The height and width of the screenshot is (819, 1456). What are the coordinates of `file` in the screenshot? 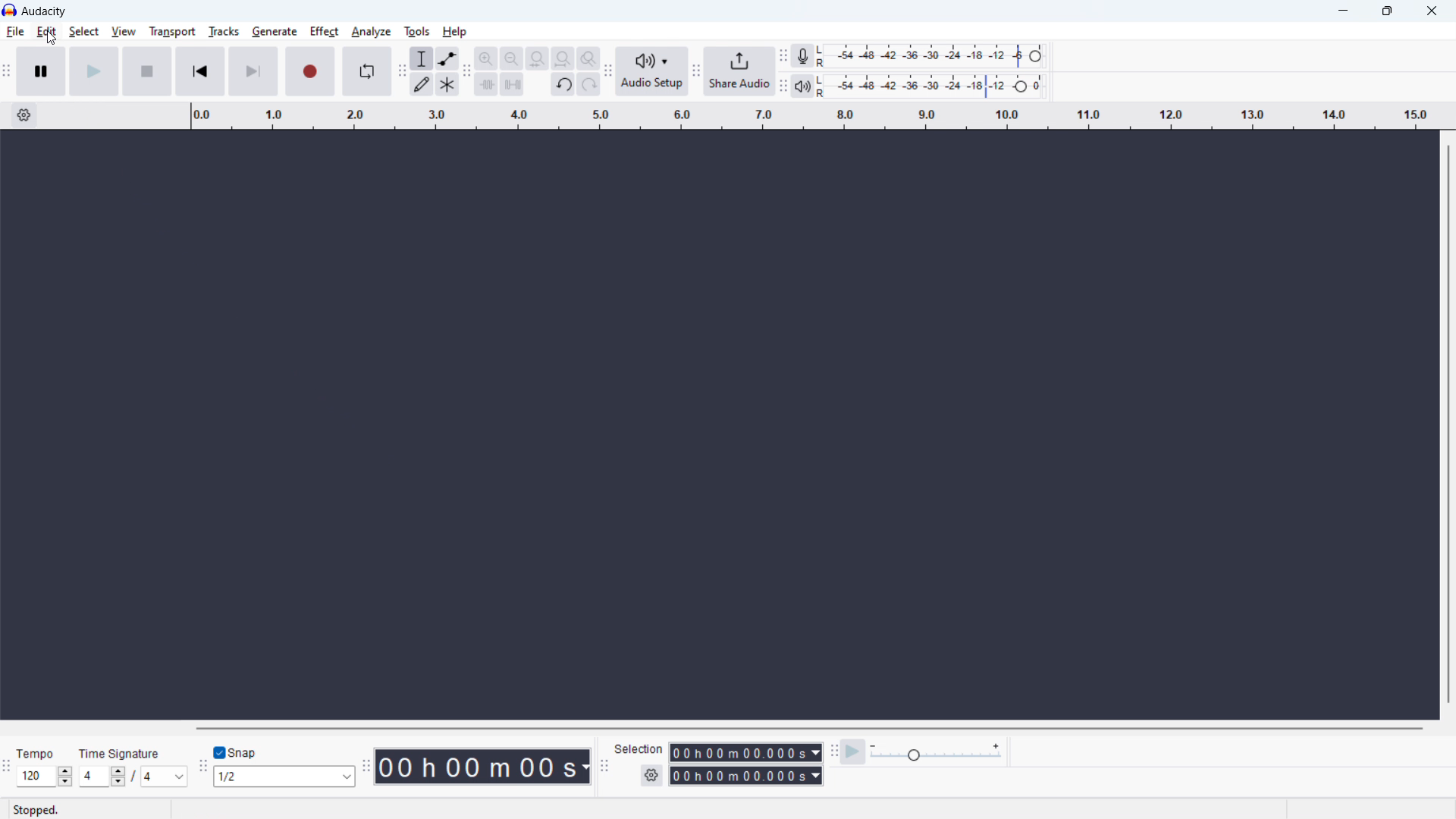 It's located at (14, 32).